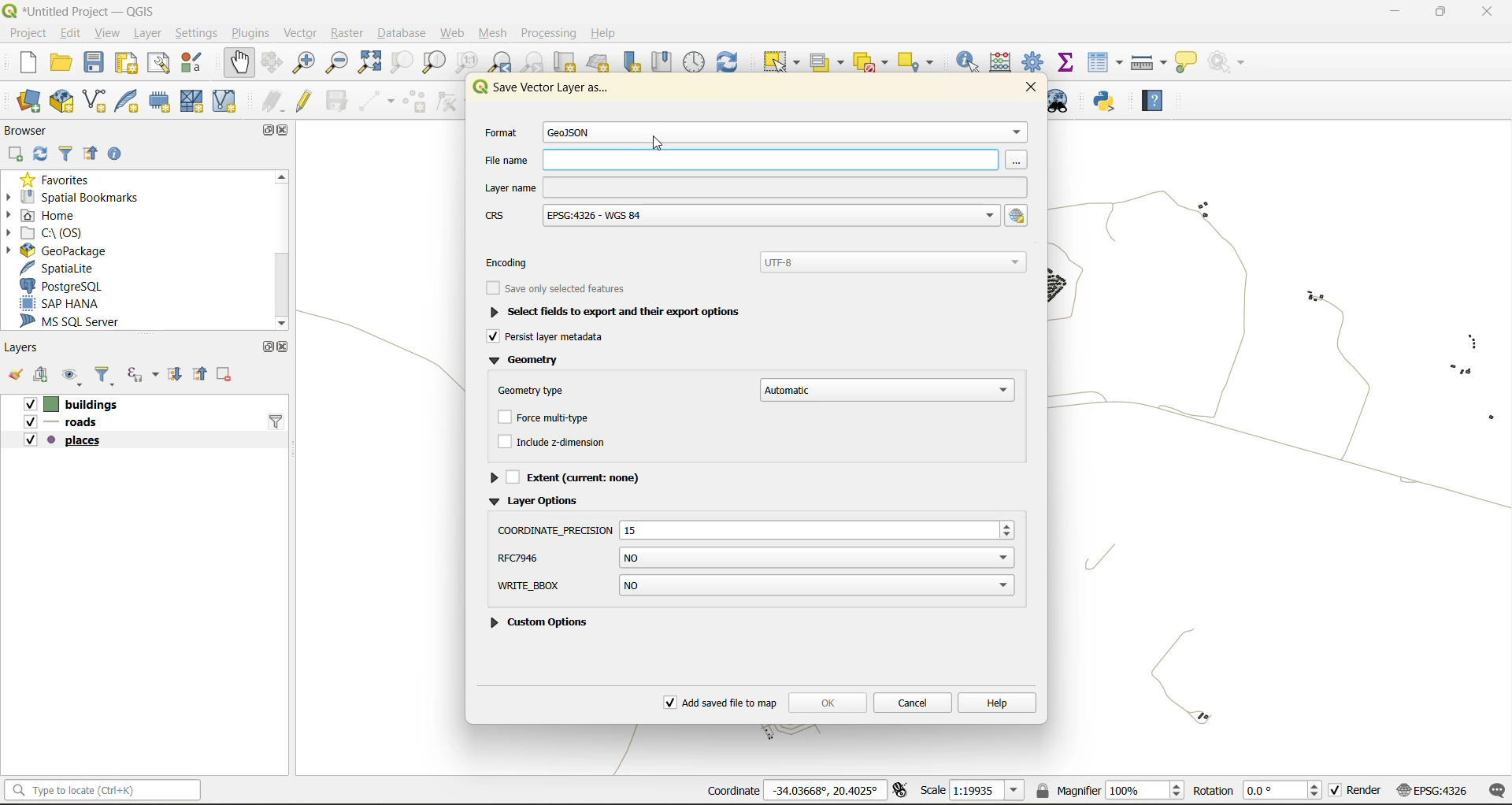 The height and width of the screenshot is (805, 1512). What do you see at coordinates (754, 263) in the screenshot?
I see `encoding` at bounding box center [754, 263].